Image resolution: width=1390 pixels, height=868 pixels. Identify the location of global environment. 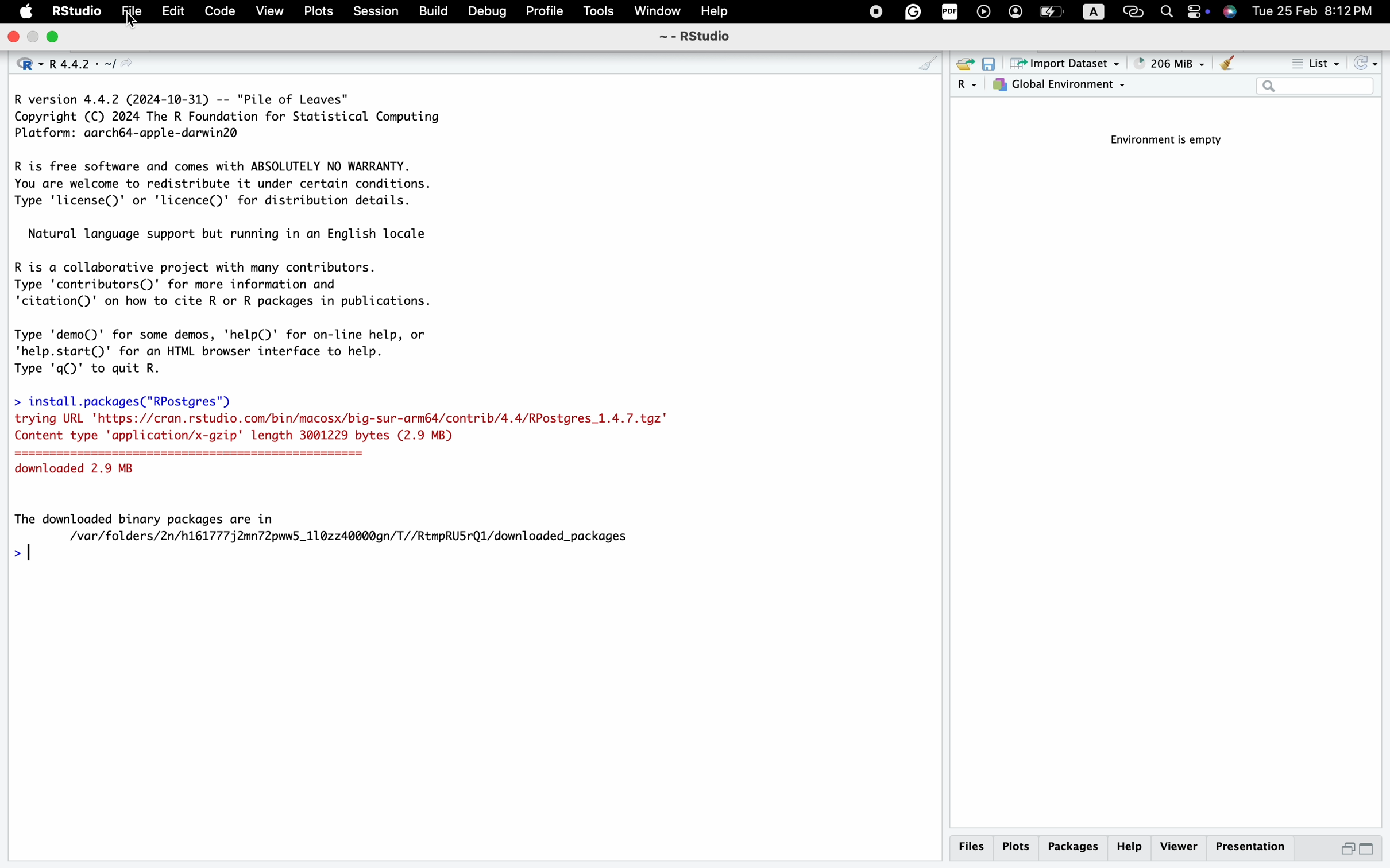
(1062, 87).